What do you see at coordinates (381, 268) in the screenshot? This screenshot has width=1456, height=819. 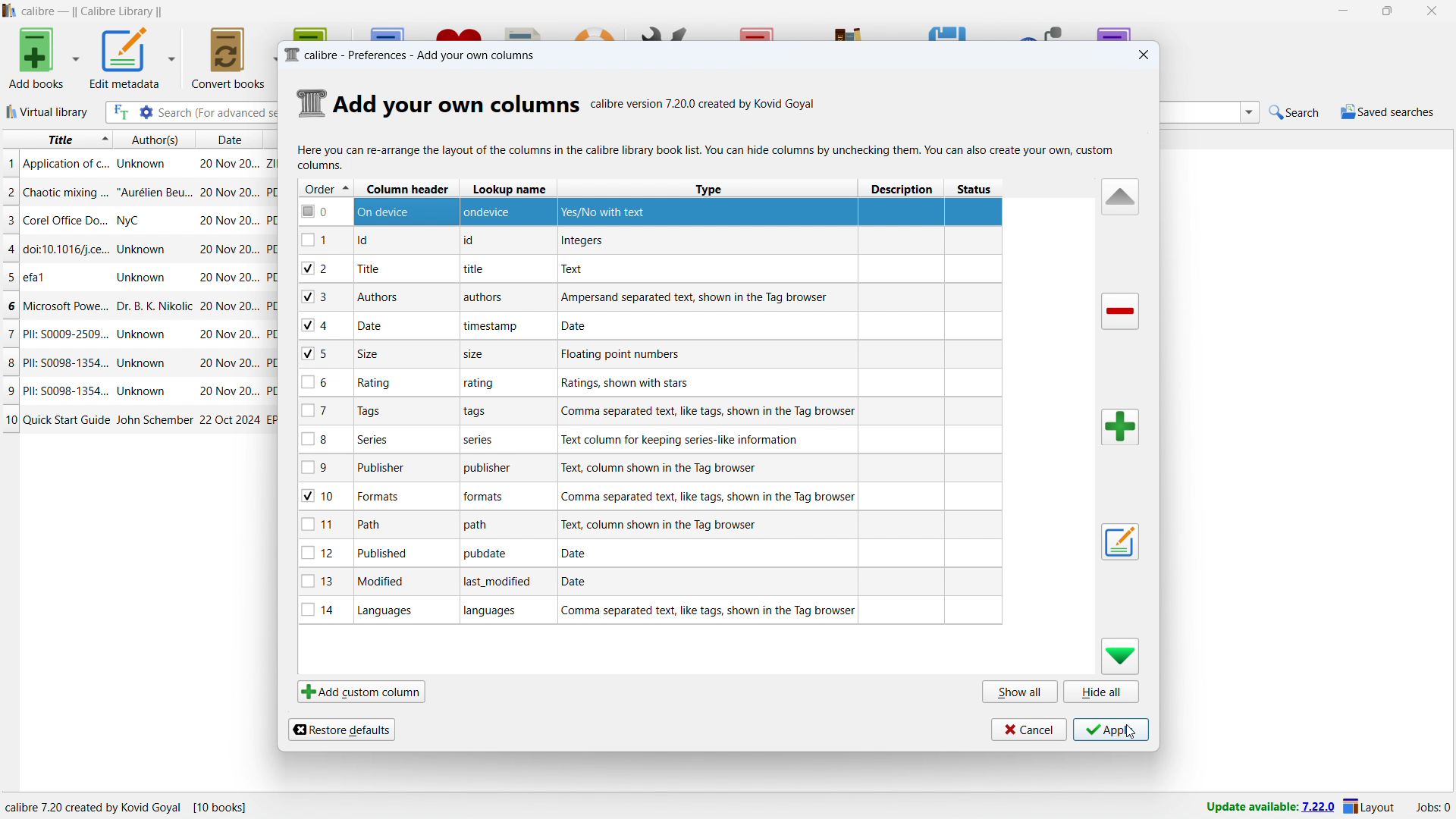 I see `title` at bounding box center [381, 268].